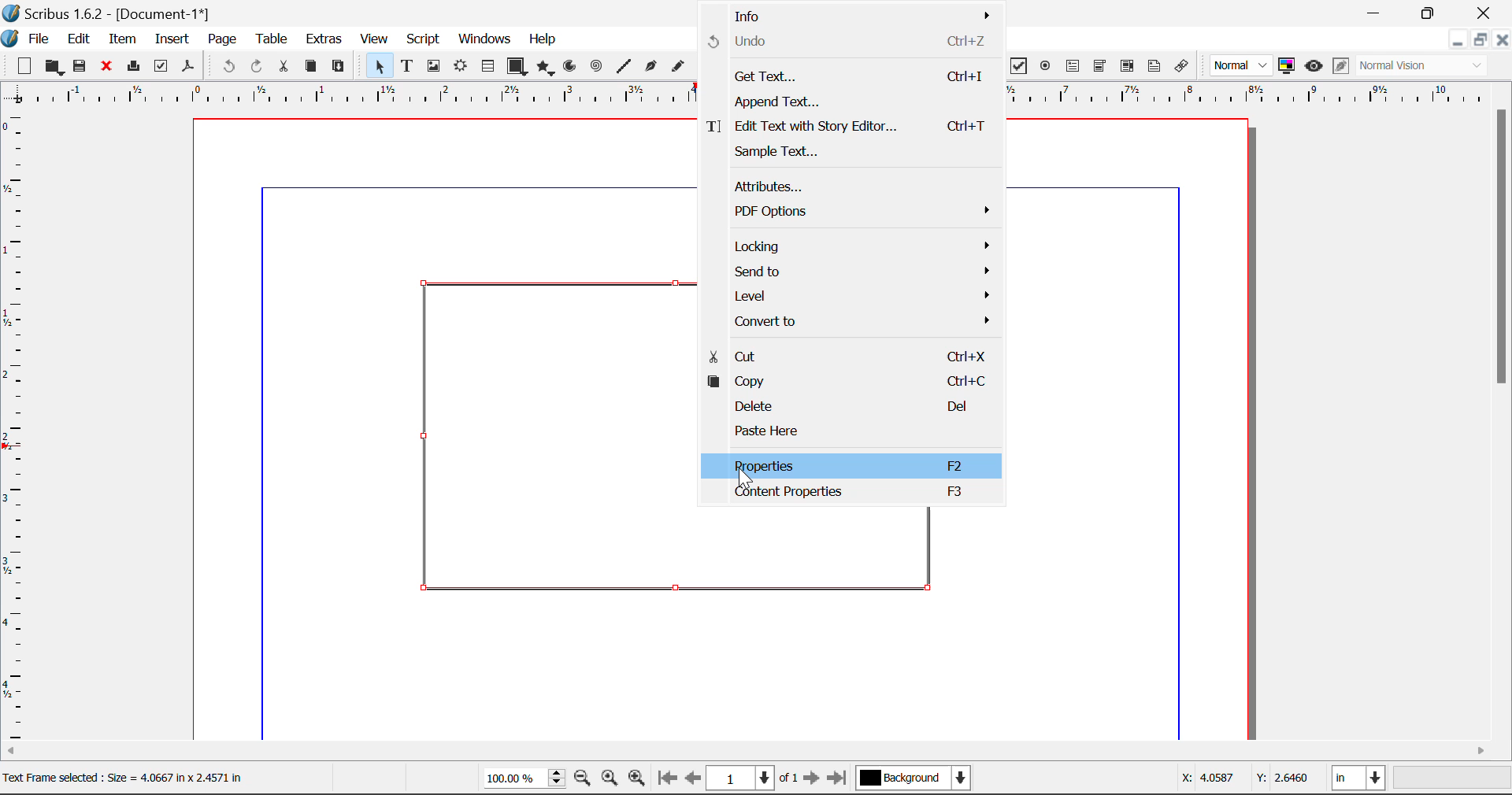 The image size is (1512, 795). I want to click on Zoom to 100%, so click(610, 780).